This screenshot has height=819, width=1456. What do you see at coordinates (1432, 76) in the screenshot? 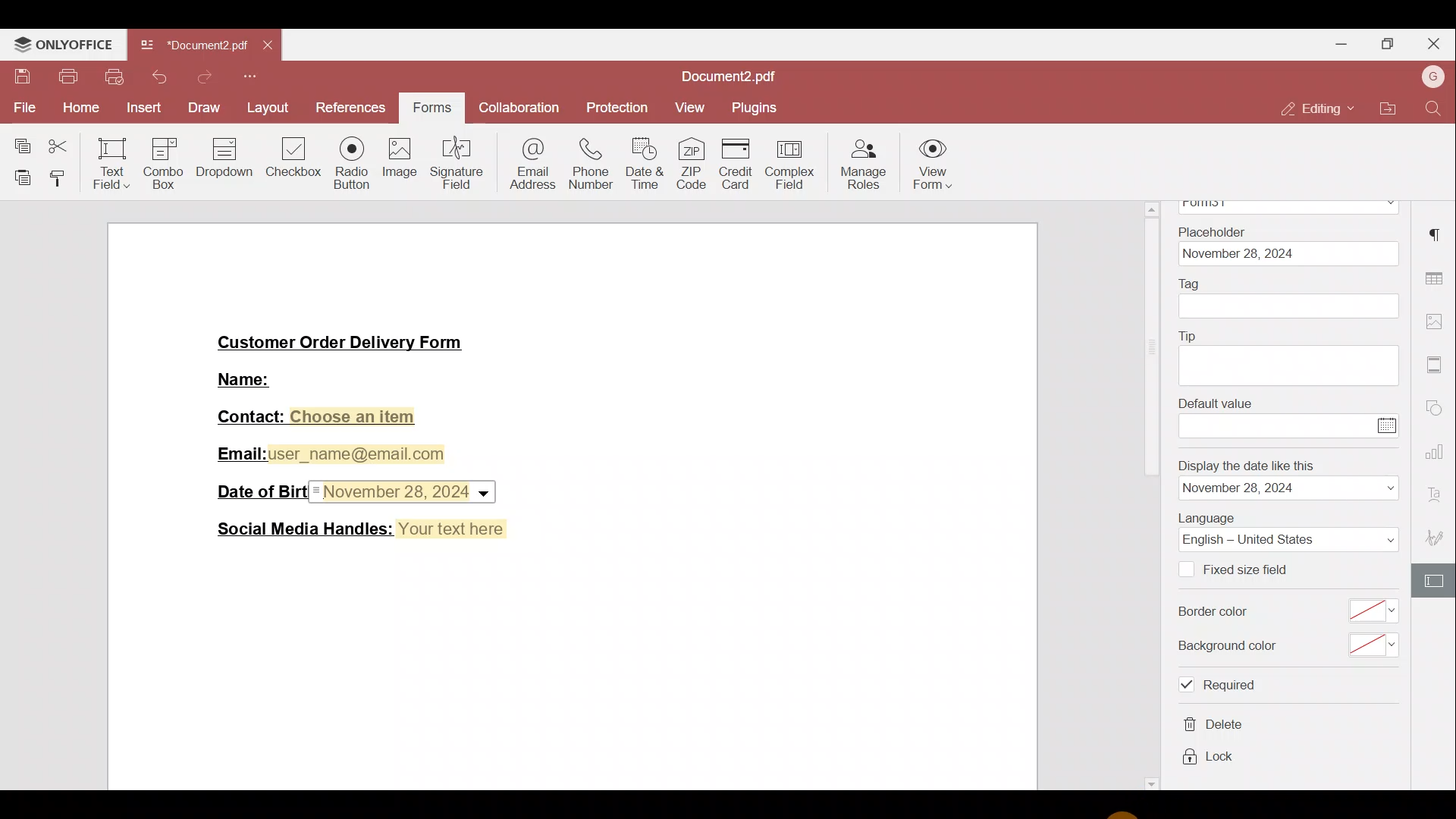
I see `Account name` at bounding box center [1432, 76].